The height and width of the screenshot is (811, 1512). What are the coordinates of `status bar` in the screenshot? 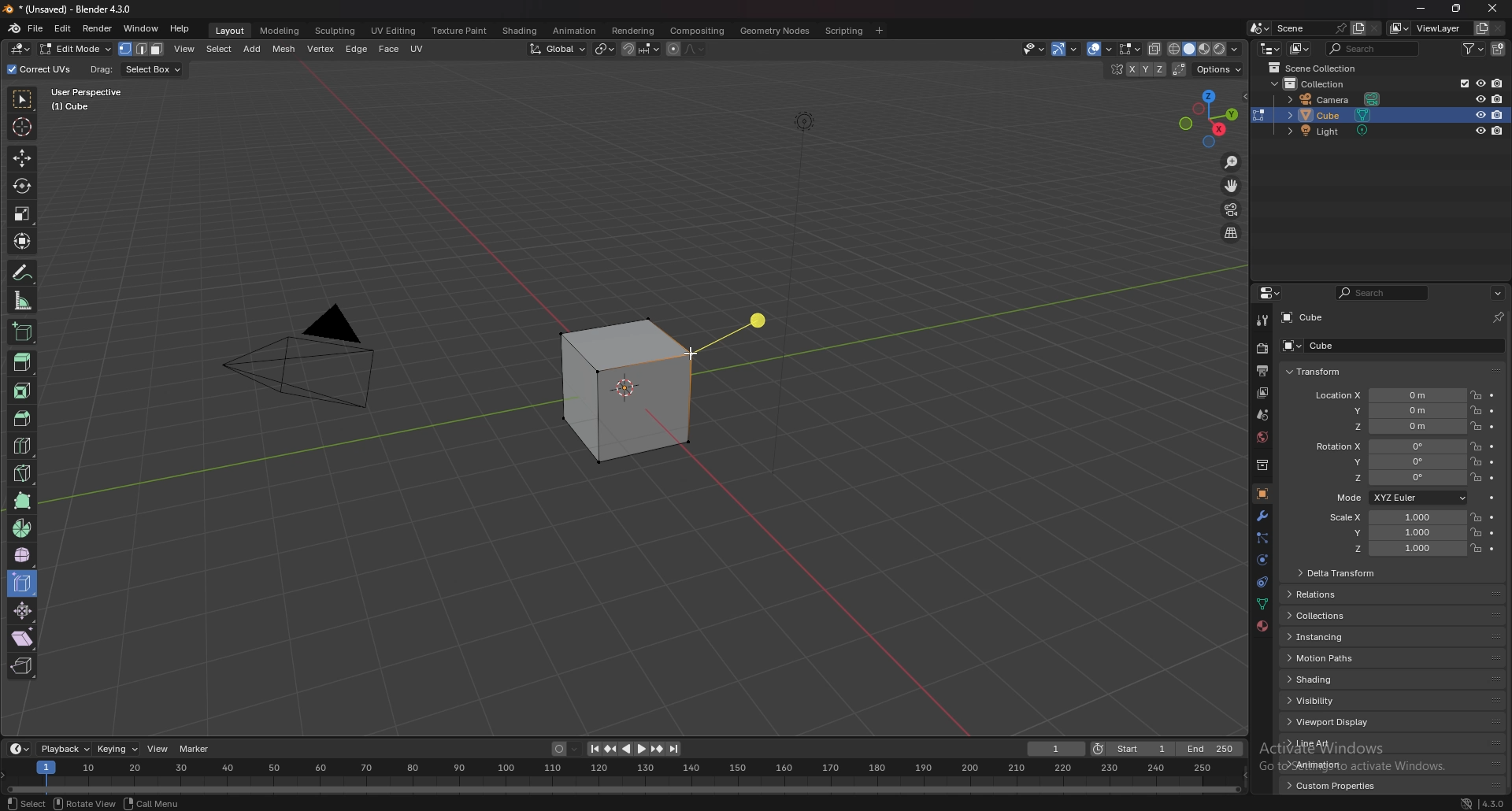 It's located at (113, 804).